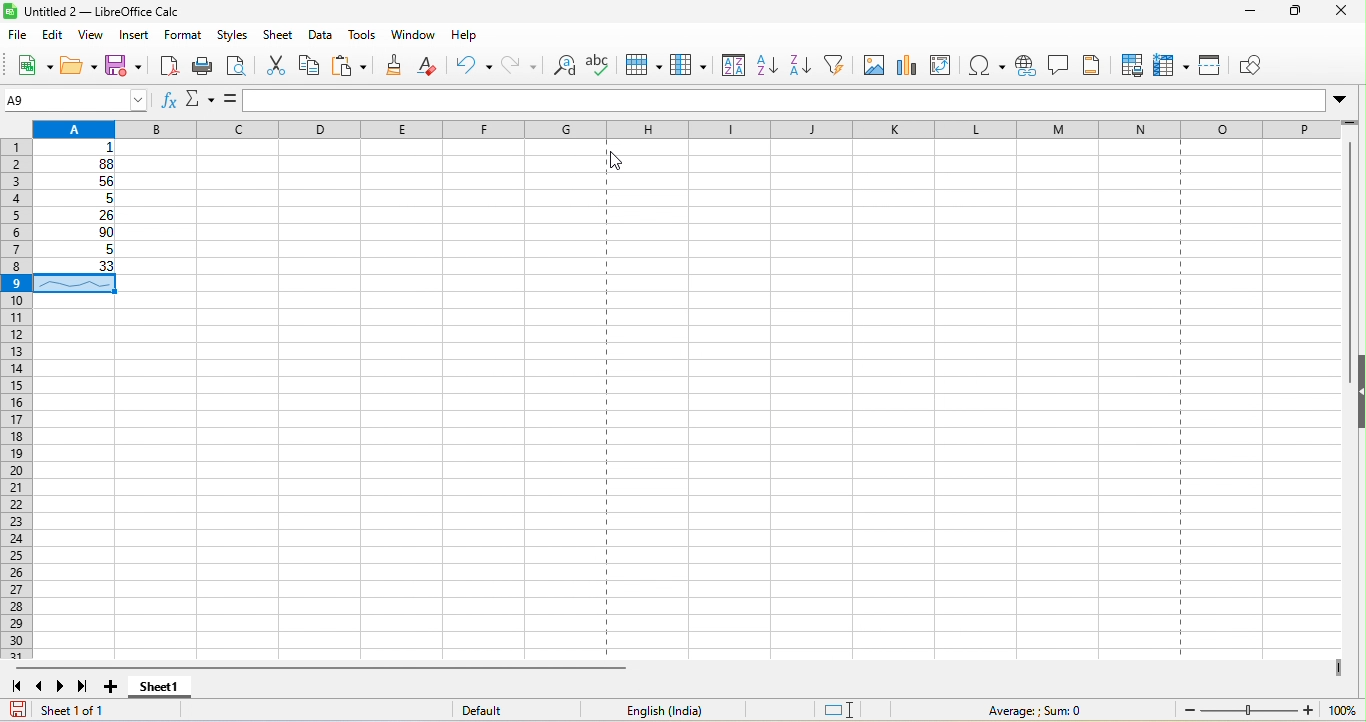  Describe the element at coordinates (1058, 65) in the screenshot. I see `comment` at that location.